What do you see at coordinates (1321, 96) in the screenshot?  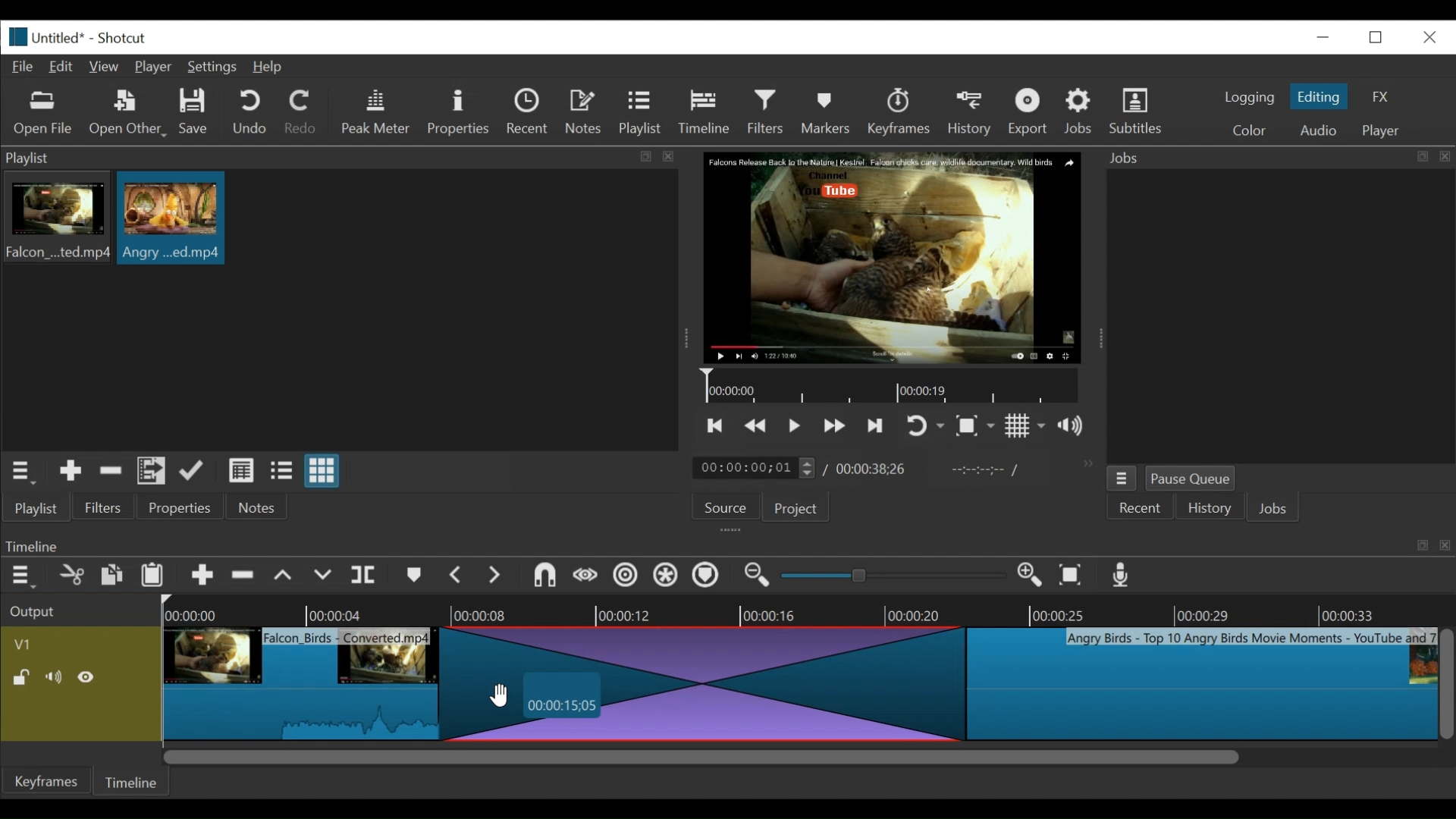 I see `Editing` at bounding box center [1321, 96].